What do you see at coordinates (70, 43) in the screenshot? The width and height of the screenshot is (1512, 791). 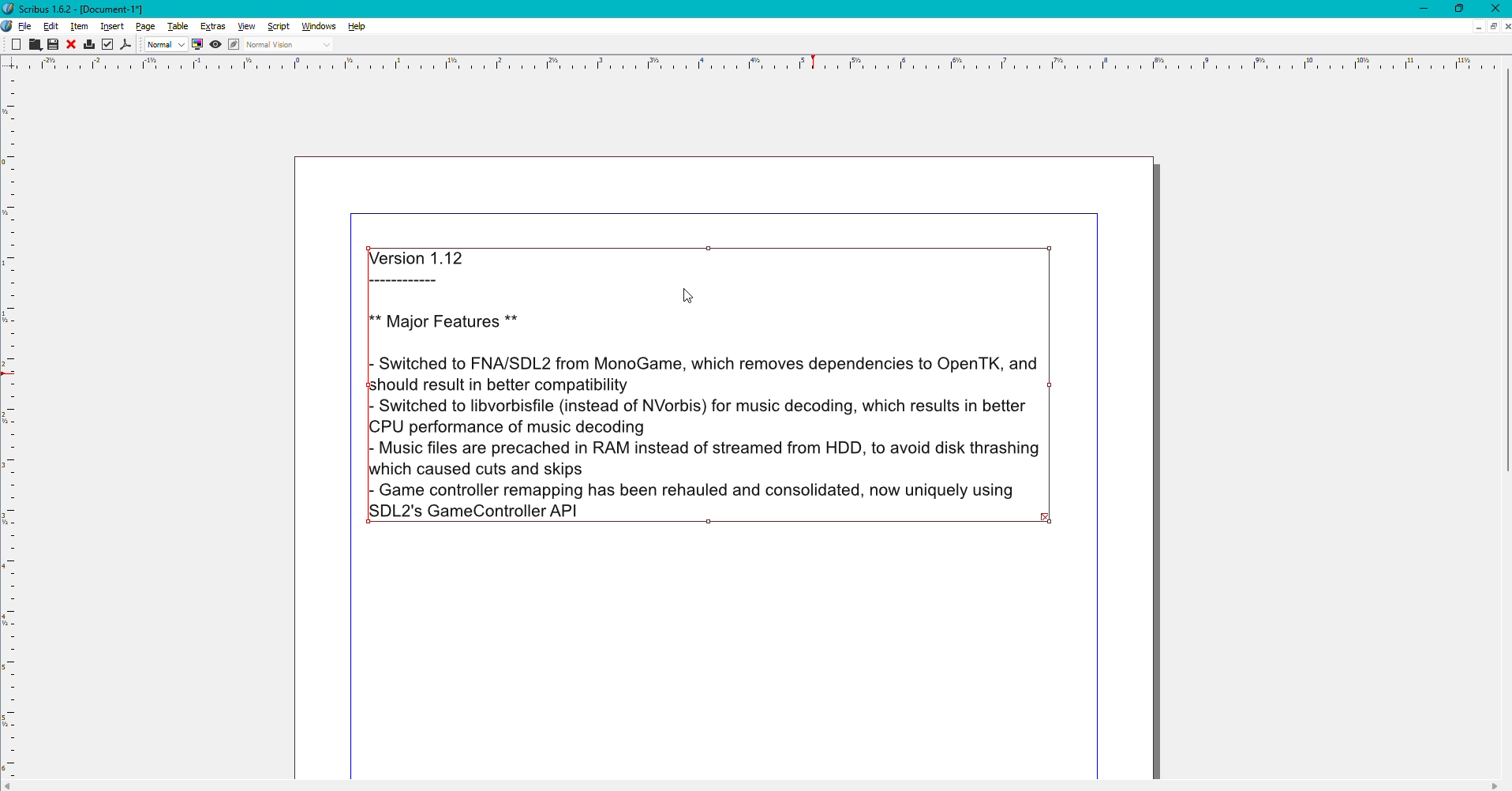 I see `Close` at bounding box center [70, 43].